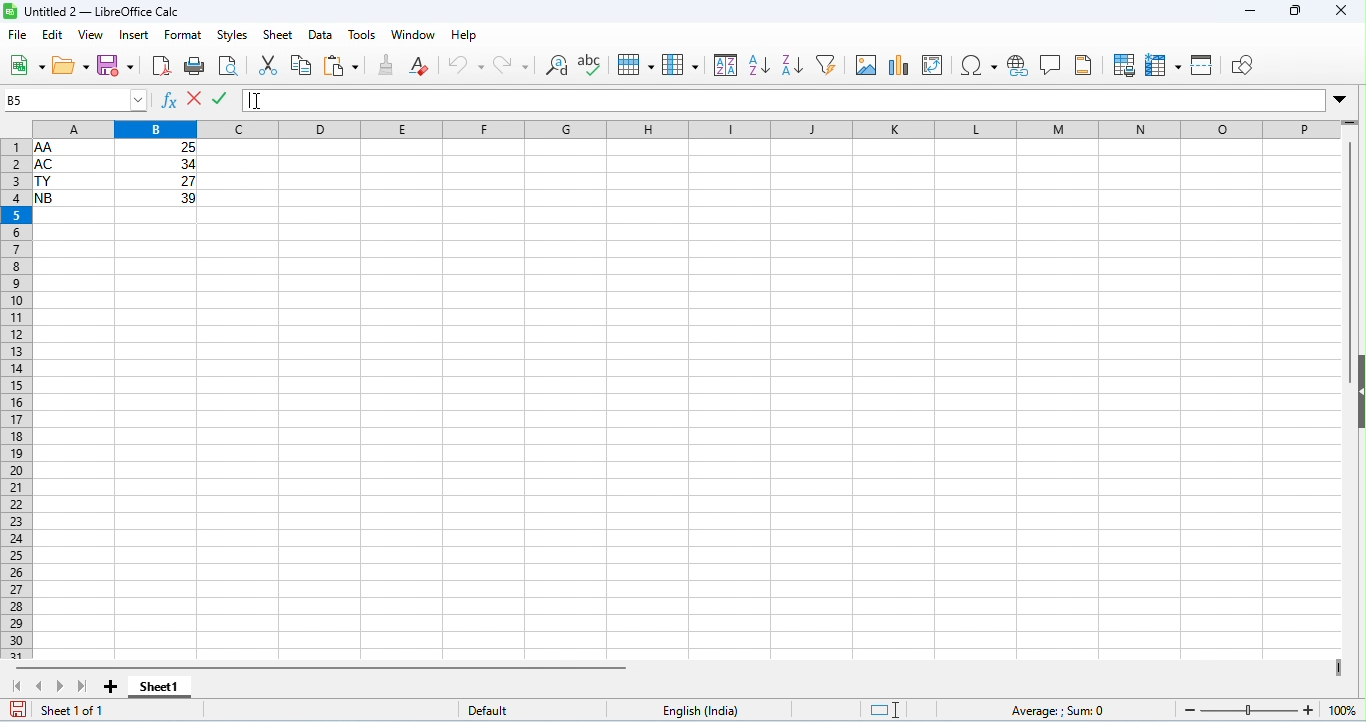 The image size is (1366, 722). What do you see at coordinates (184, 35) in the screenshot?
I see `format` at bounding box center [184, 35].